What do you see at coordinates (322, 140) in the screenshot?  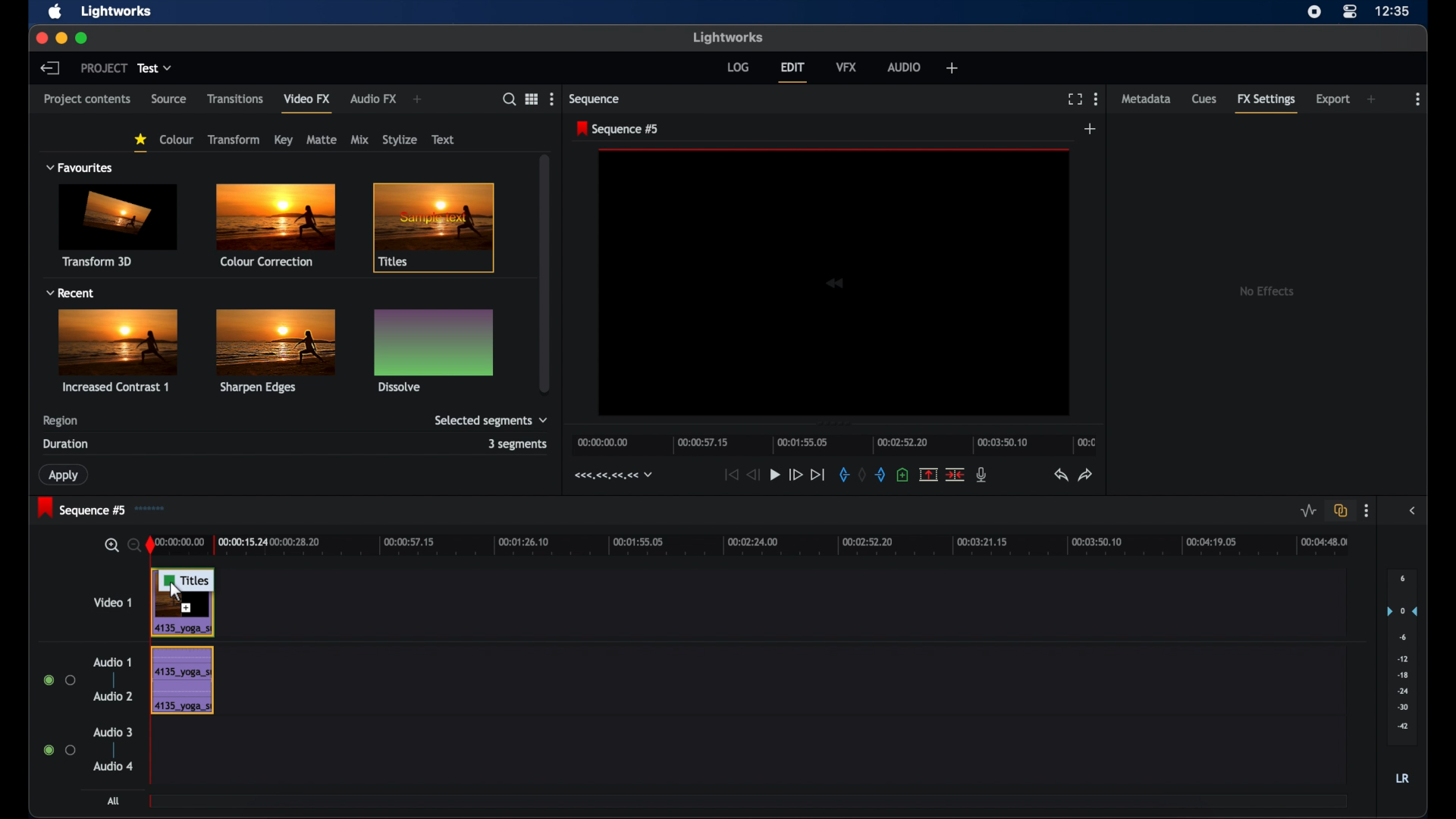 I see `matte` at bounding box center [322, 140].